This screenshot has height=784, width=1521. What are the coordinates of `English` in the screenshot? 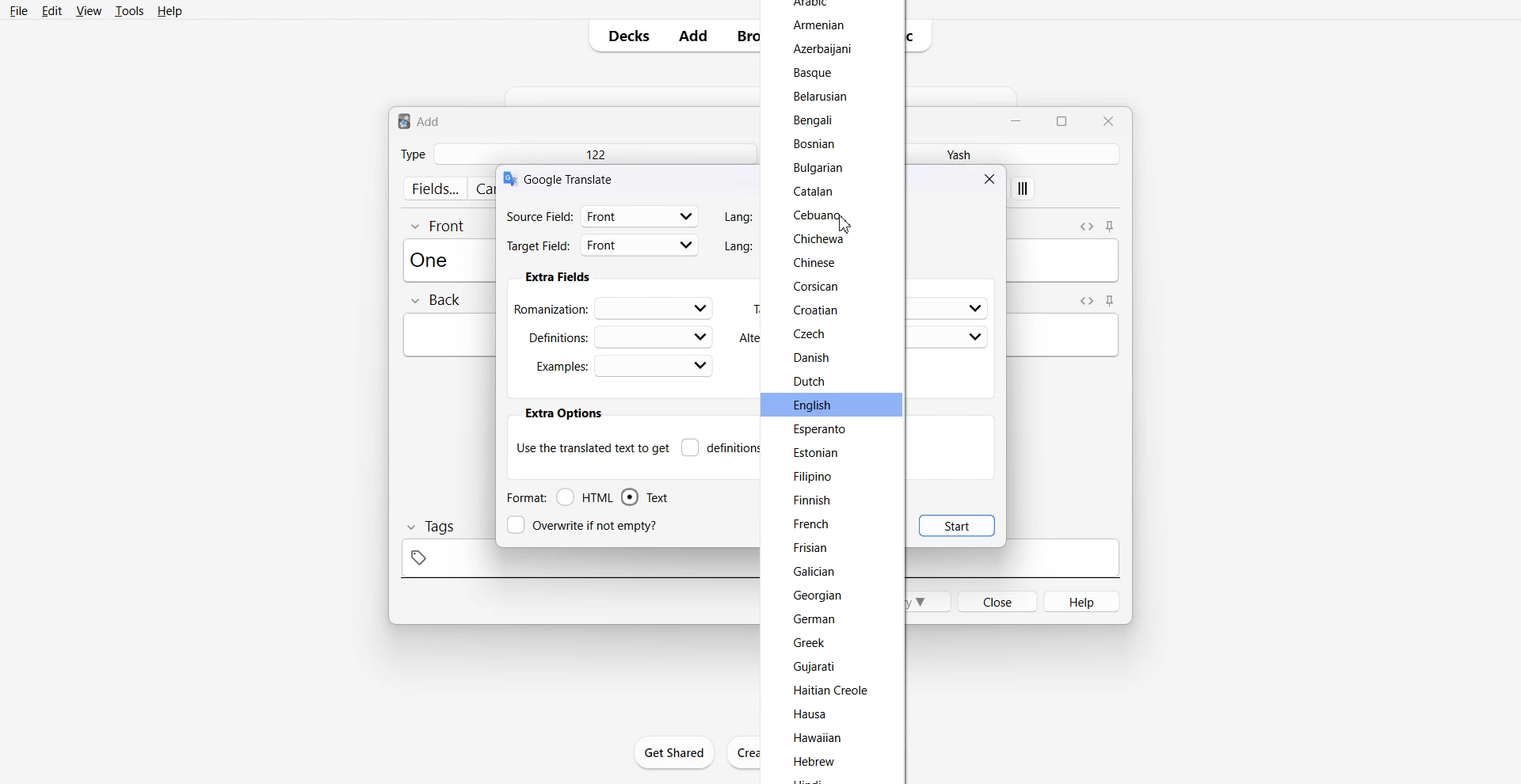 It's located at (812, 405).